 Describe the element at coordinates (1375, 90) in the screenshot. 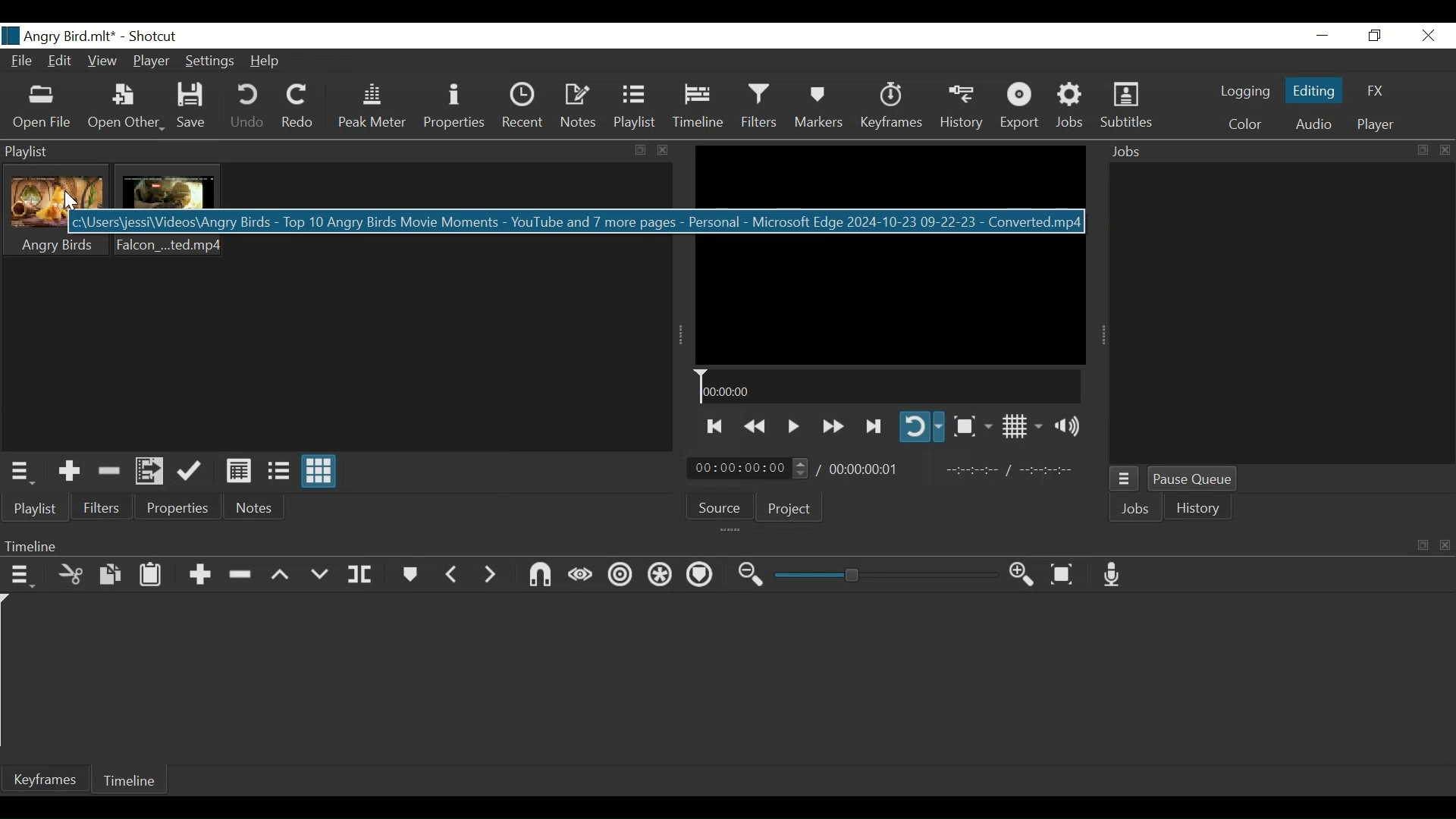

I see `FX` at that location.